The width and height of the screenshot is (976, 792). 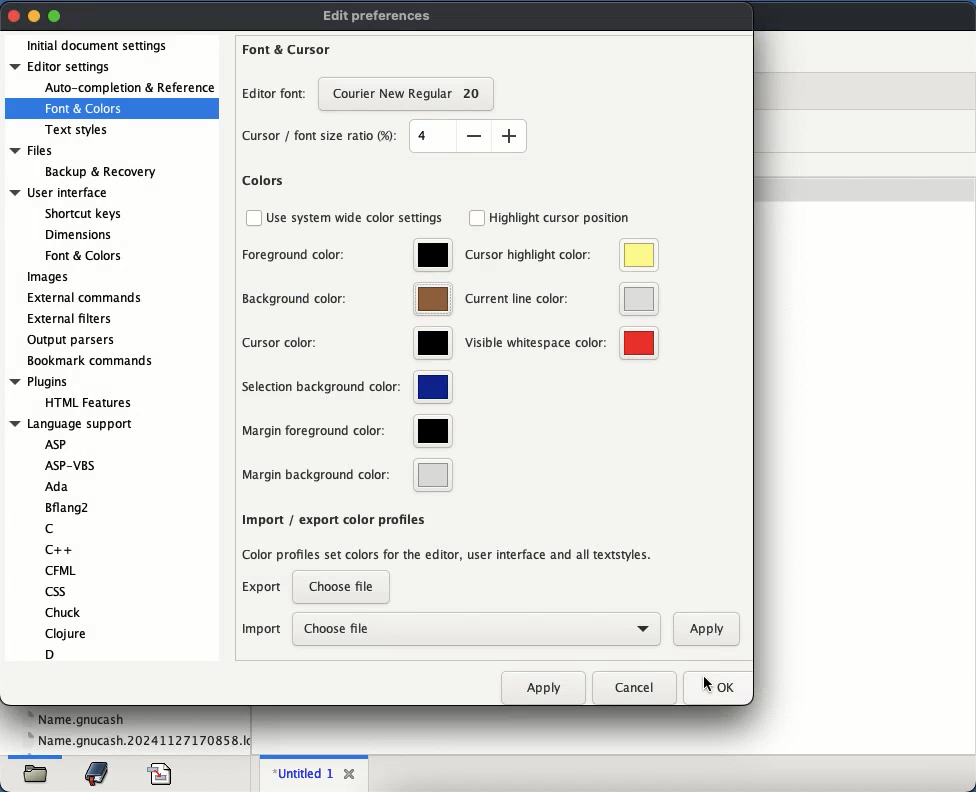 I want to click on ok, so click(x=720, y=687).